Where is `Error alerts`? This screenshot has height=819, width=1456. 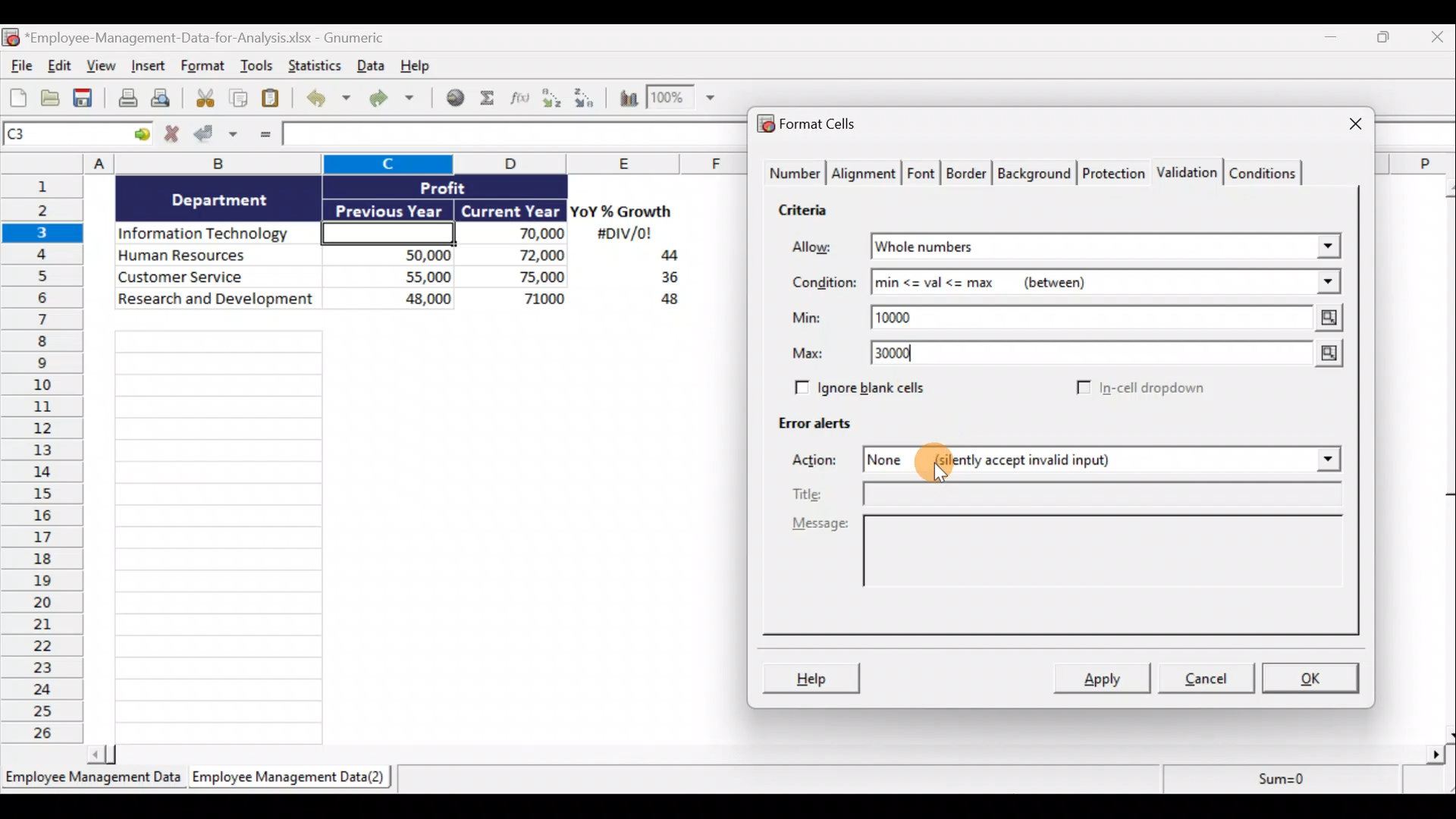
Error alerts is located at coordinates (821, 430).